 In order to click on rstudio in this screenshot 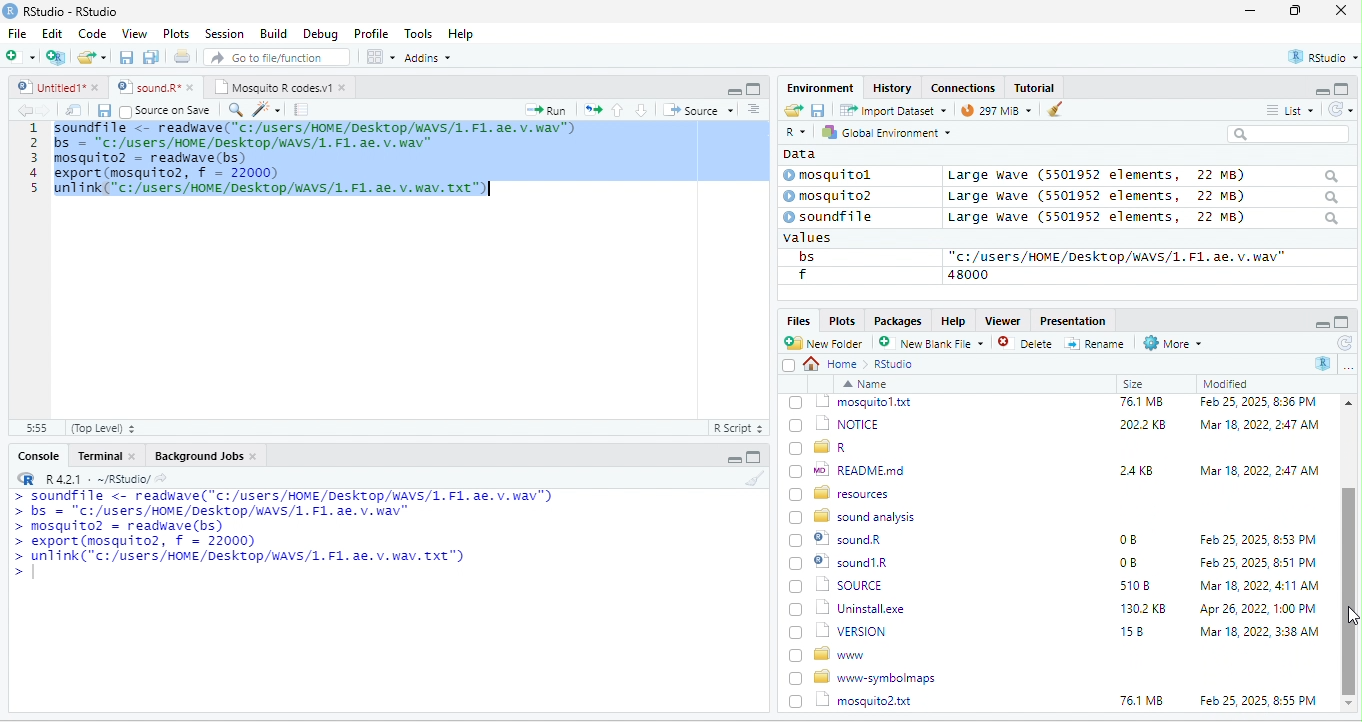, I will do `click(1319, 58)`.